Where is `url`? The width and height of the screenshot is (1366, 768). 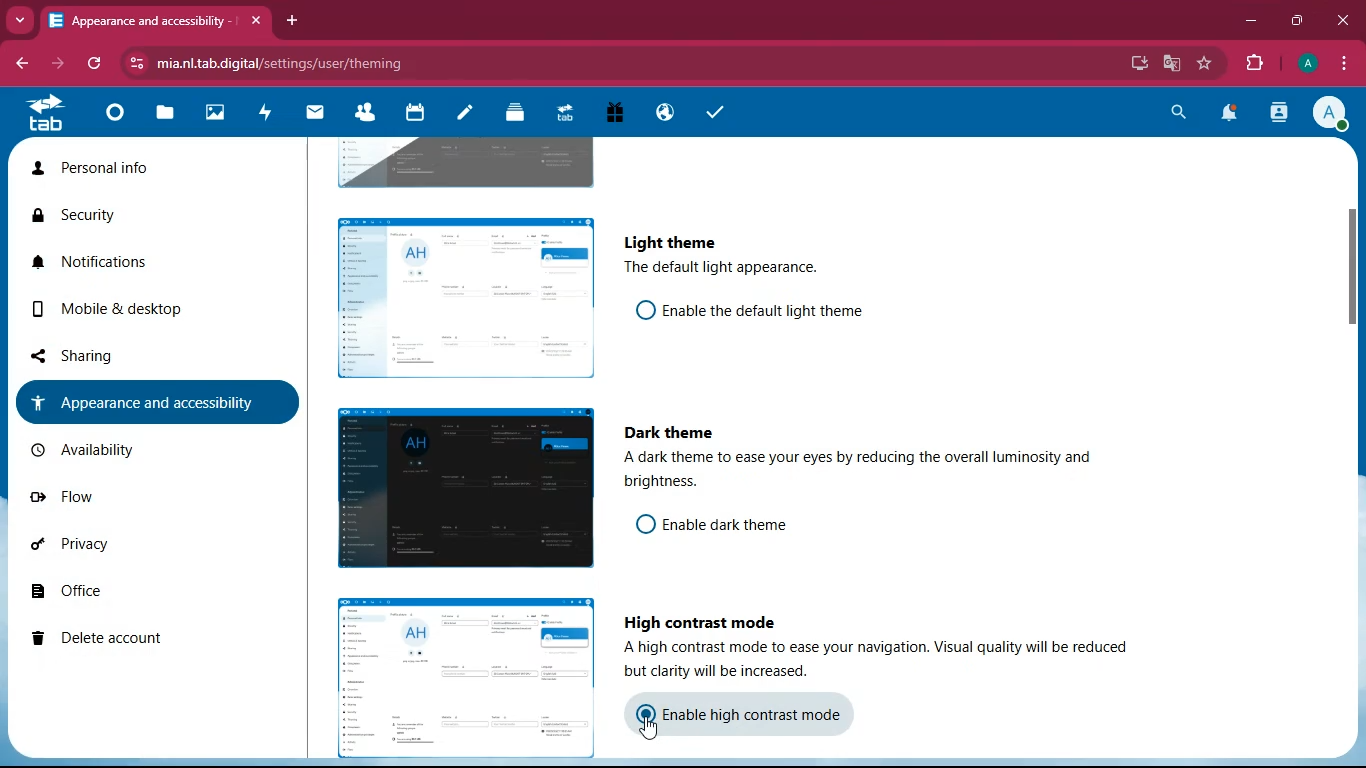 url is located at coordinates (298, 61).